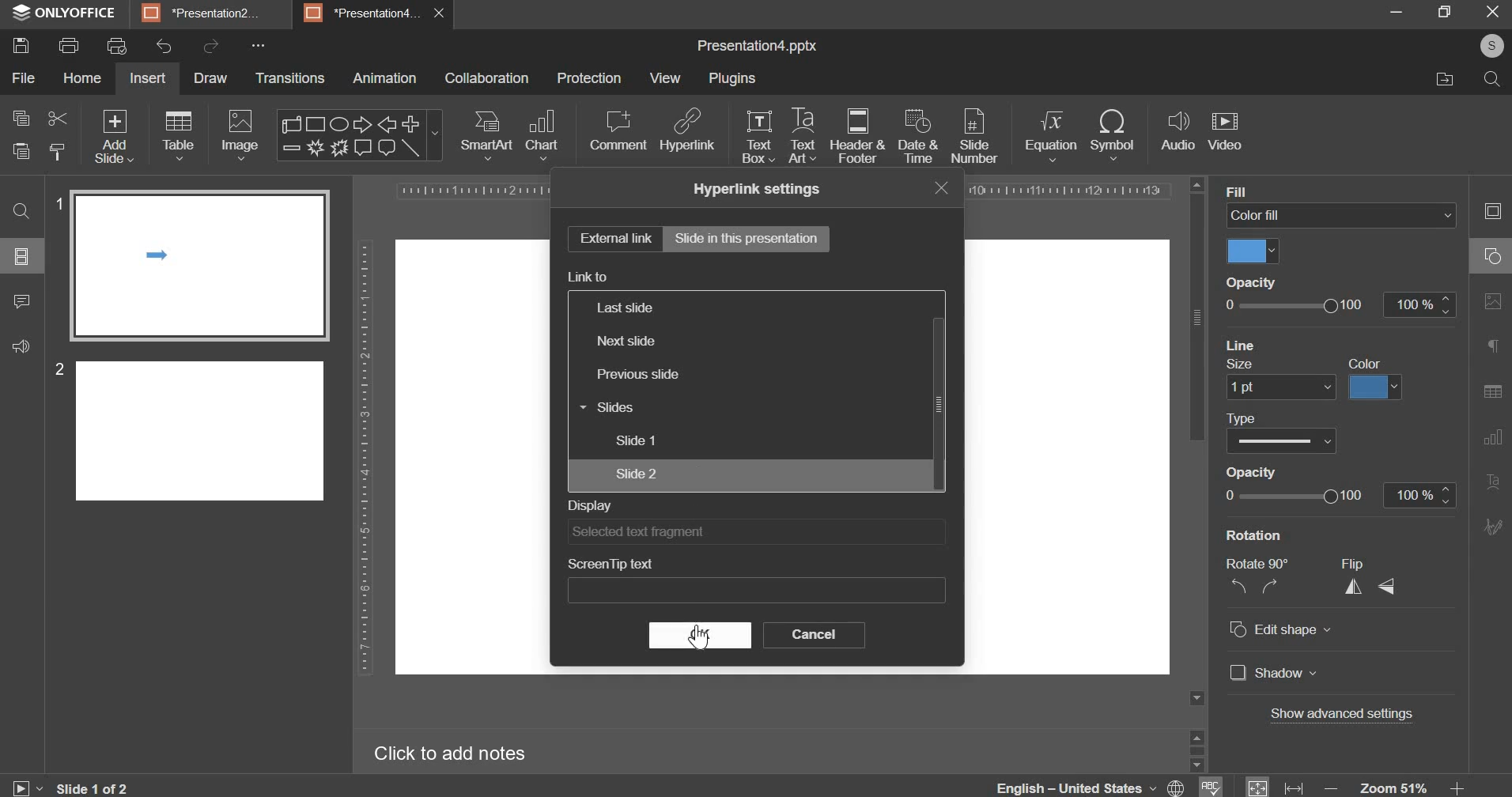 The height and width of the screenshot is (797, 1512). What do you see at coordinates (768, 189) in the screenshot?
I see `Hyperlink settings` at bounding box center [768, 189].